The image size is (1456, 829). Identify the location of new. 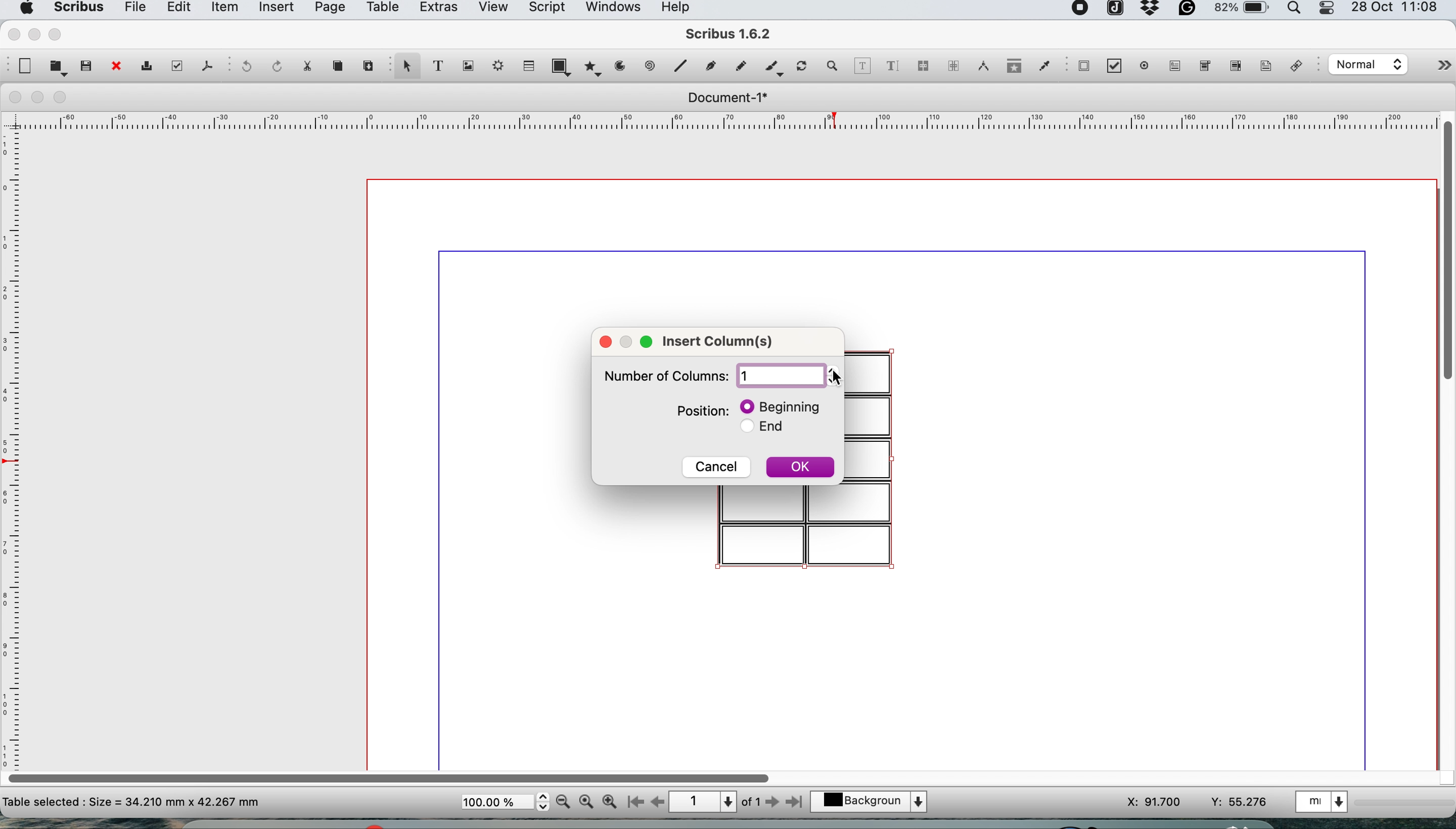
(23, 66).